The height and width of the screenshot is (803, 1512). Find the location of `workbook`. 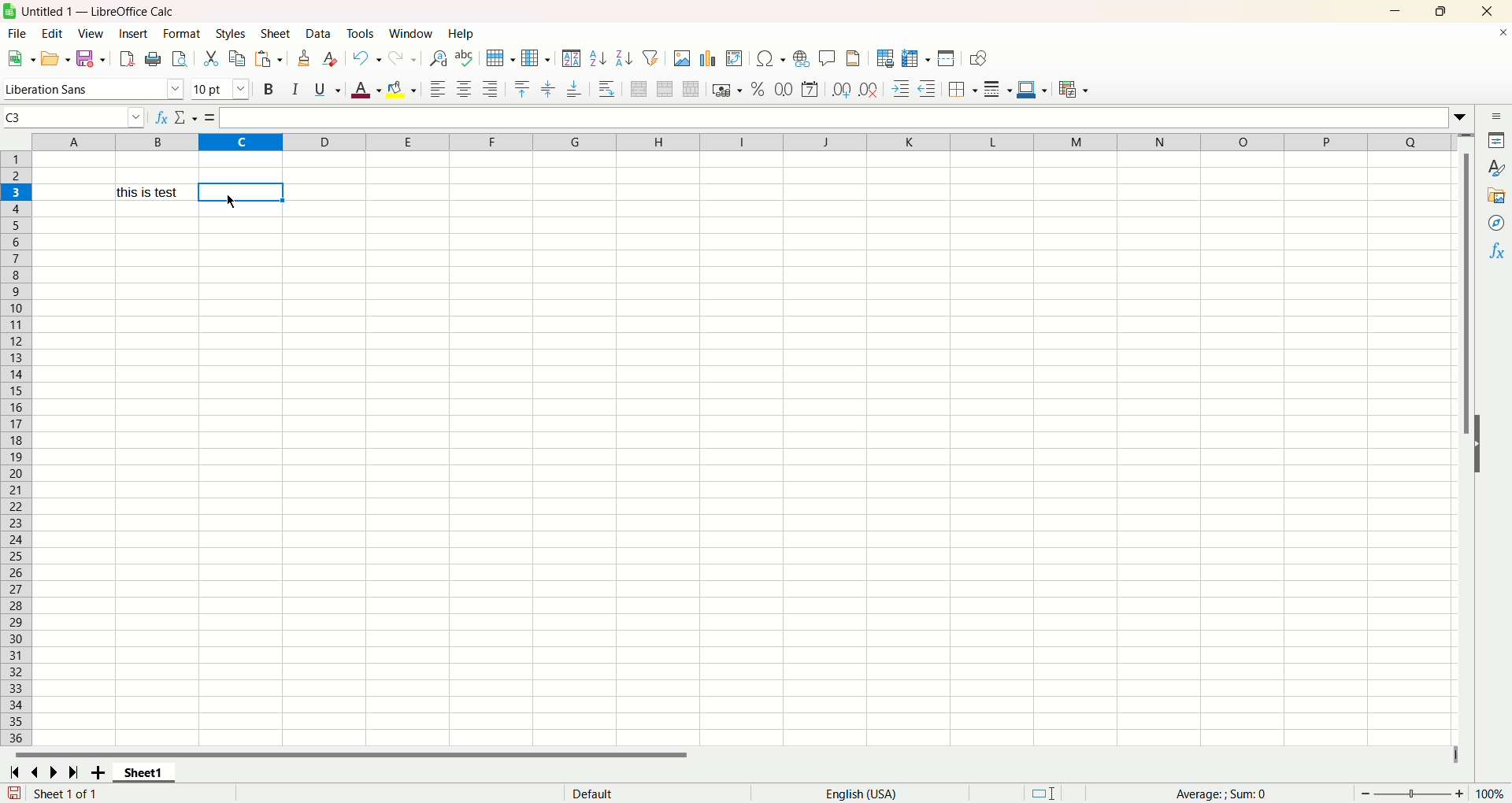

workbook is located at coordinates (744, 451).